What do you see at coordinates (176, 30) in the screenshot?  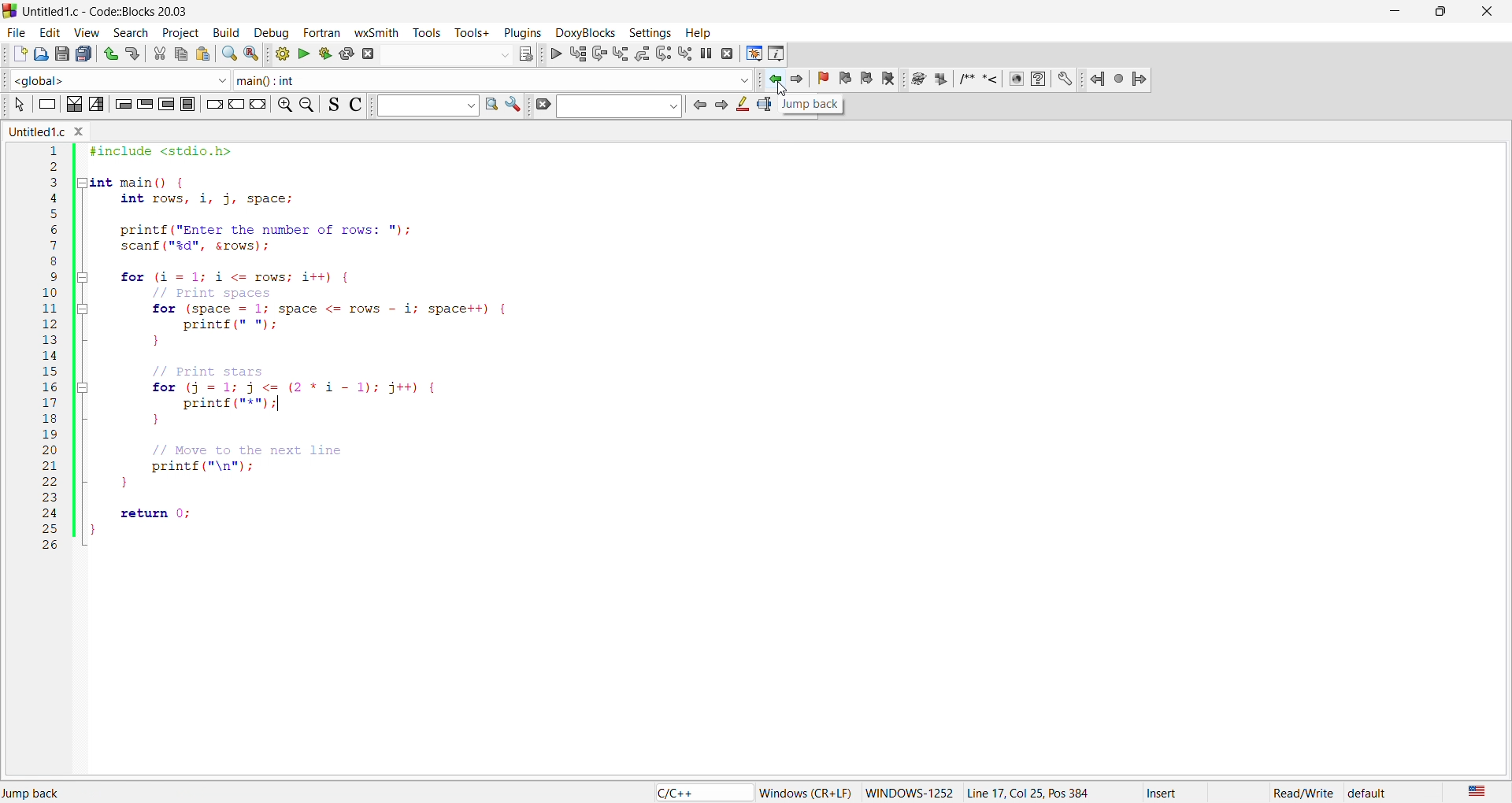 I see `project` at bounding box center [176, 30].